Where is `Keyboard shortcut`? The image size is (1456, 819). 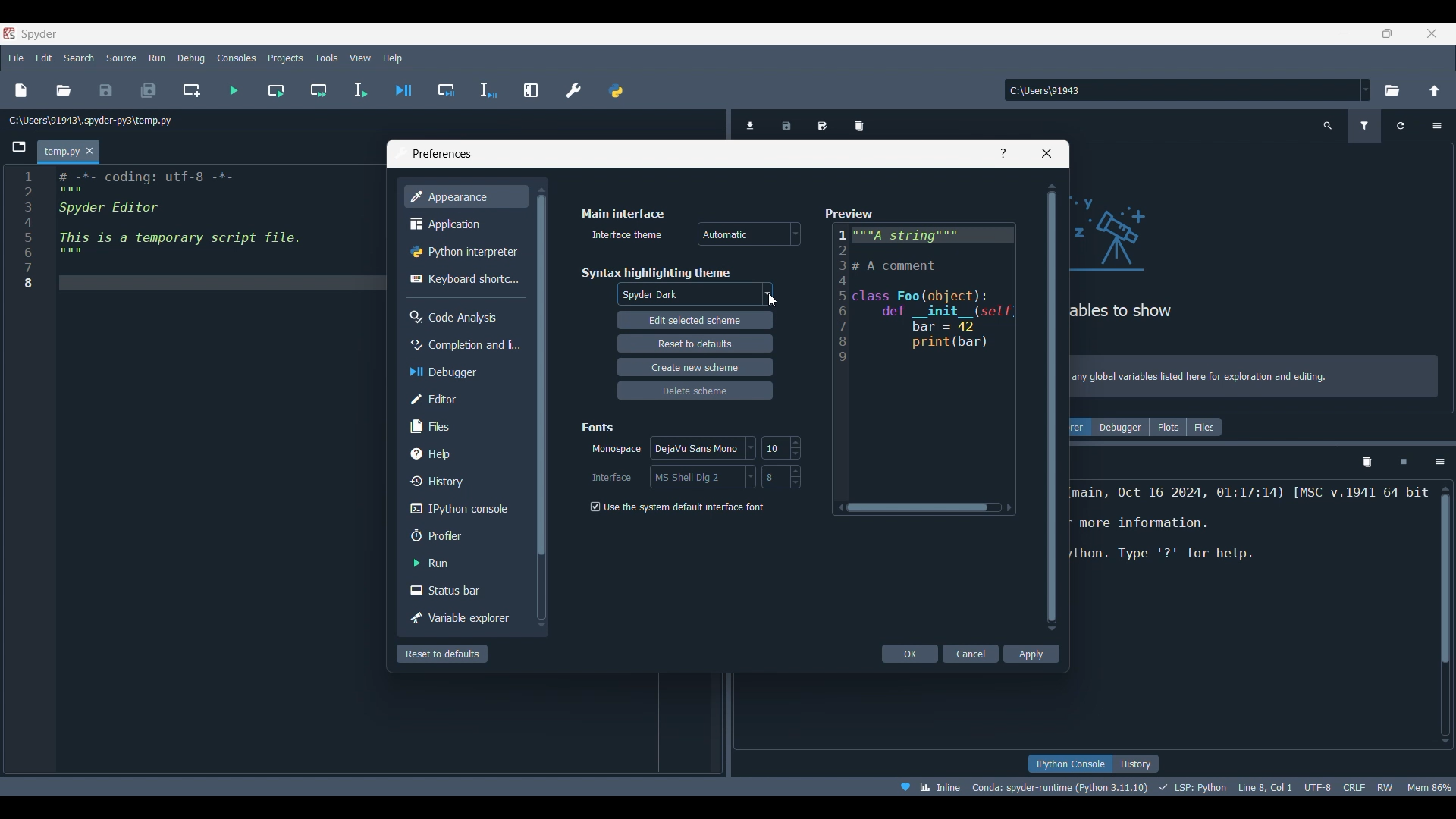
Keyboard shortcut is located at coordinates (464, 278).